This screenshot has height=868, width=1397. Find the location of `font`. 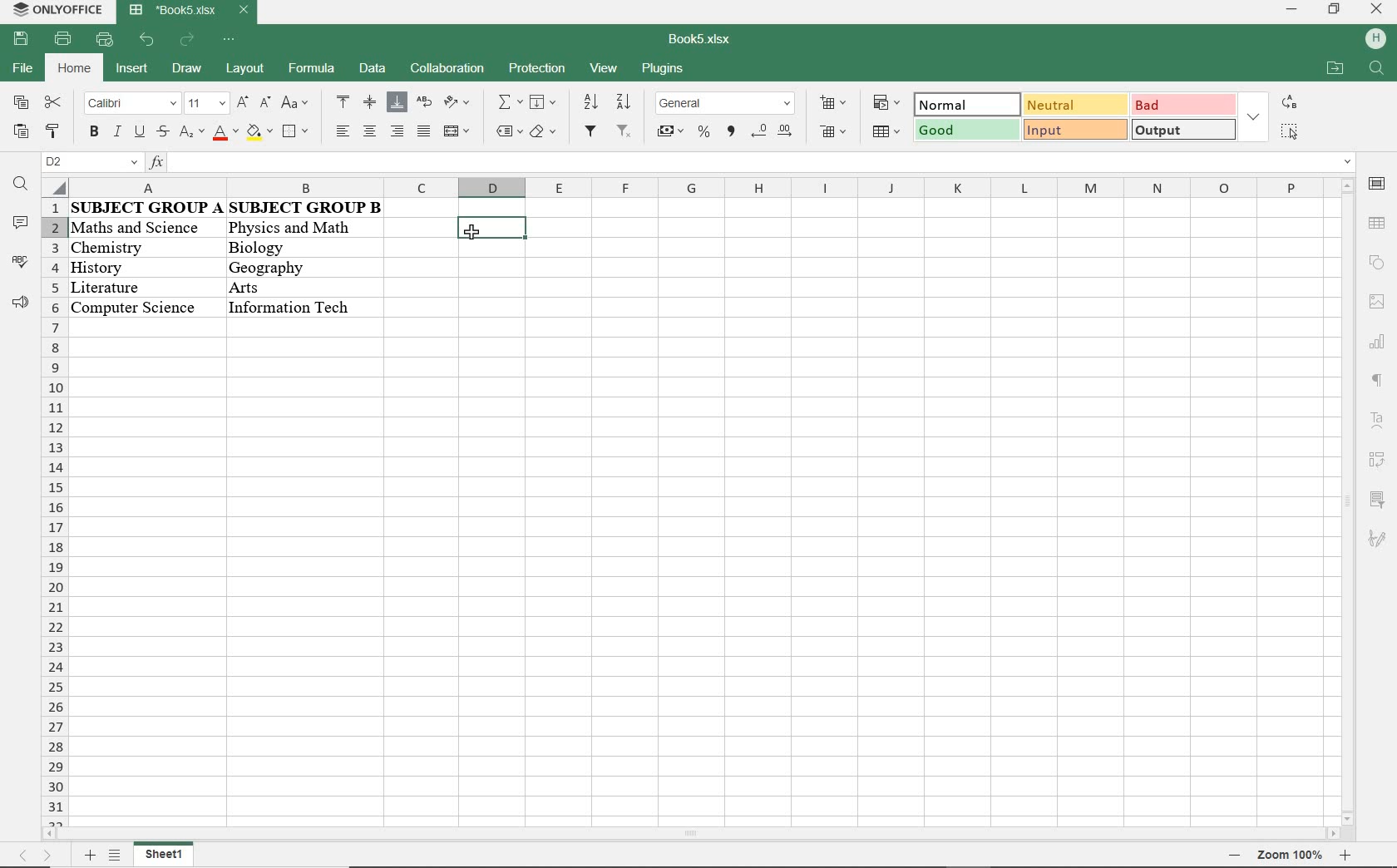

font is located at coordinates (131, 105).